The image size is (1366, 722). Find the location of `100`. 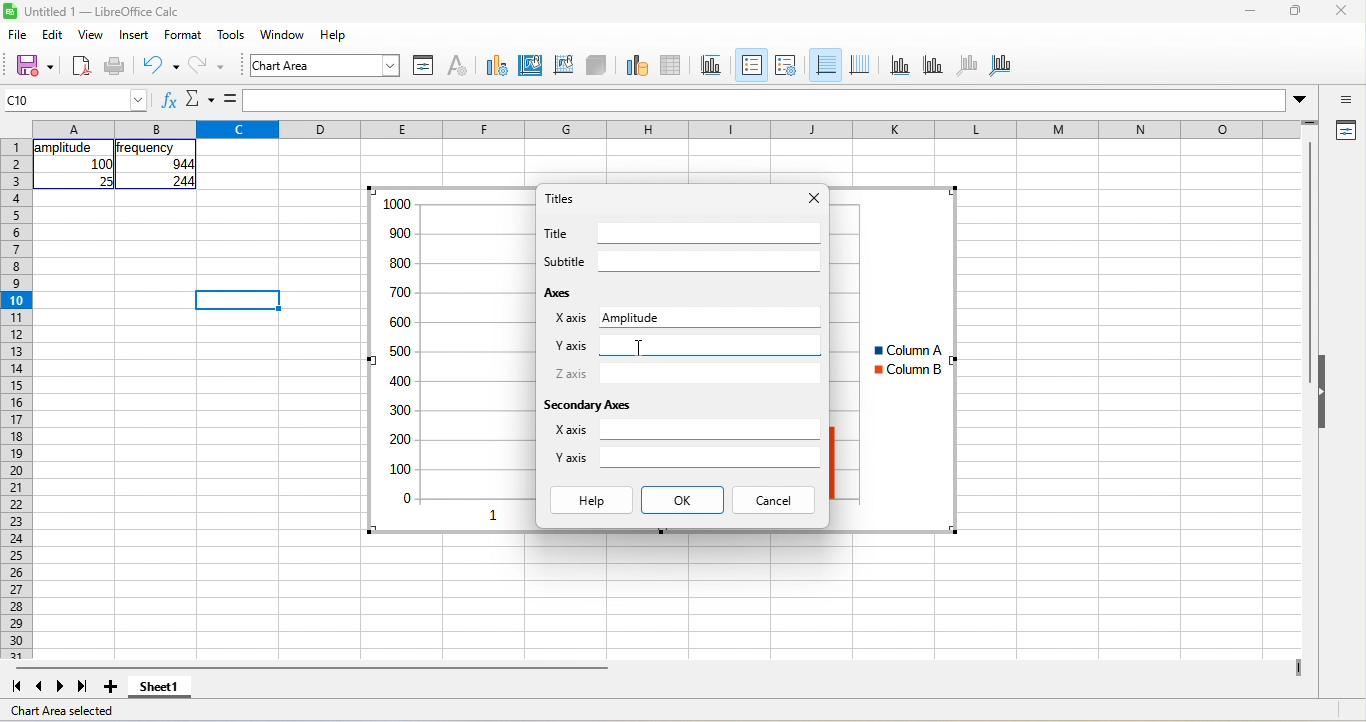

100 is located at coordinates (101, 164).